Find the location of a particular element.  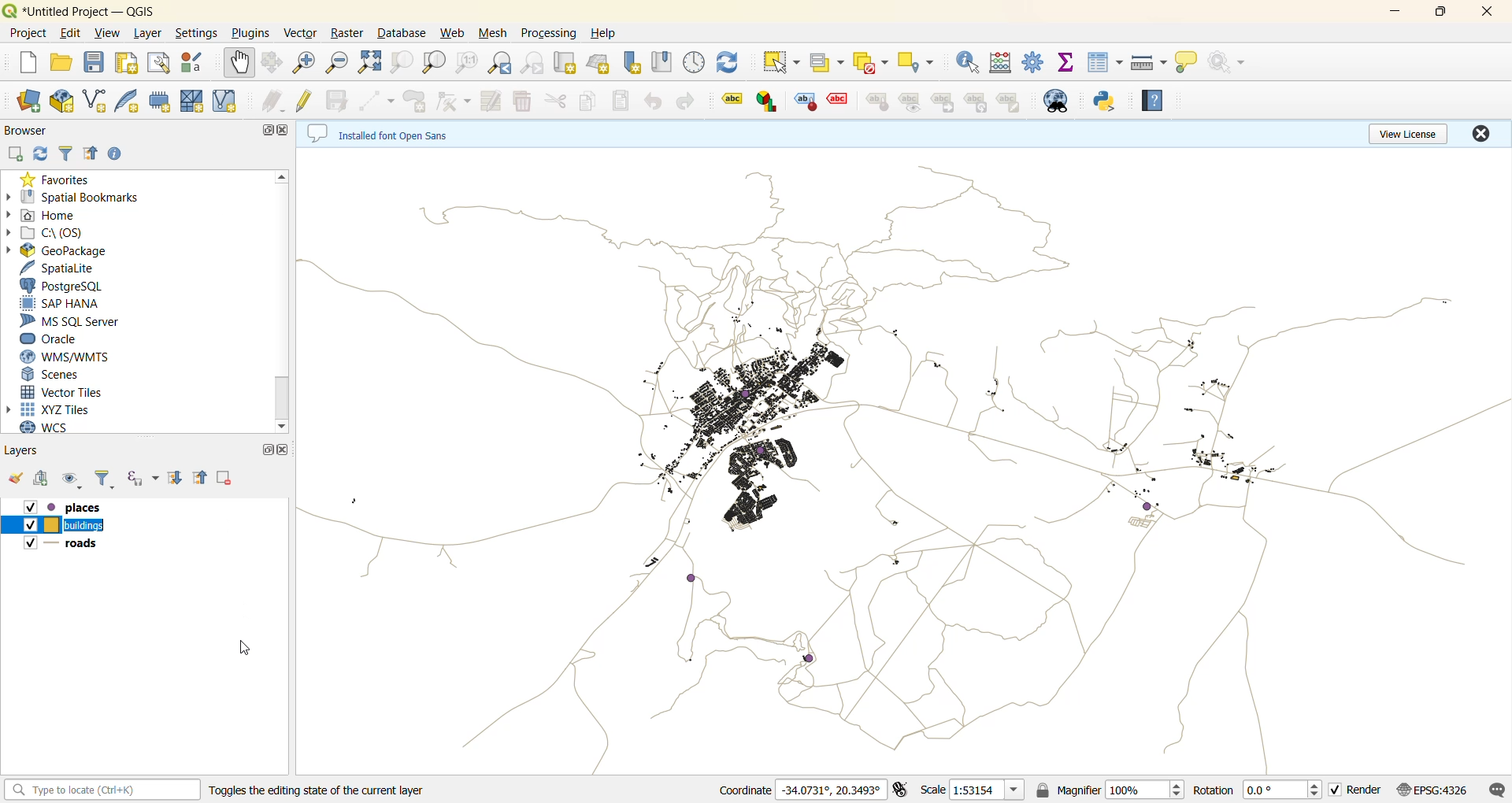

zoom out is located at coordinates (340, 63).